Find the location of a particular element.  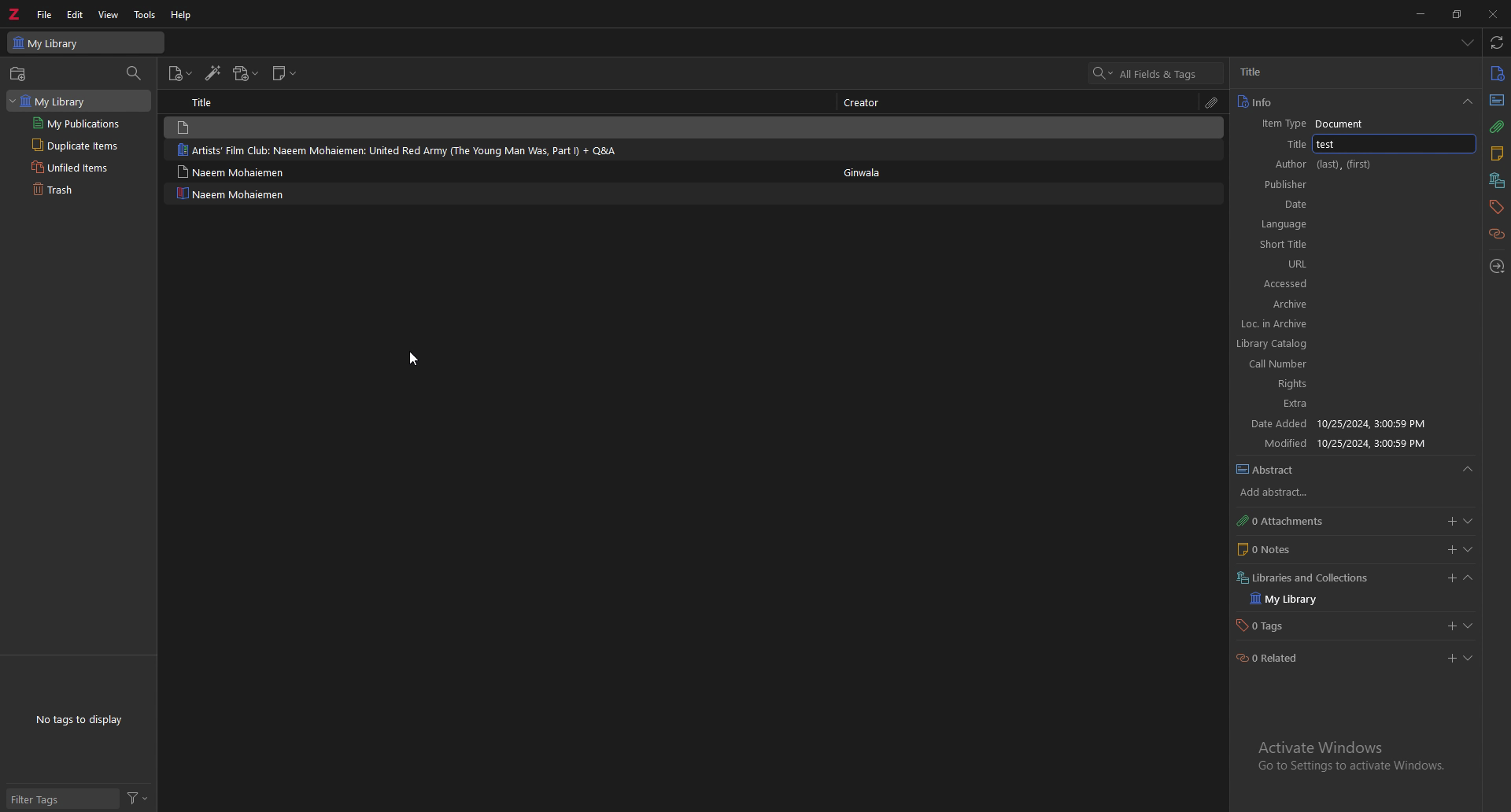

close is located at coordinates (1494, 14).